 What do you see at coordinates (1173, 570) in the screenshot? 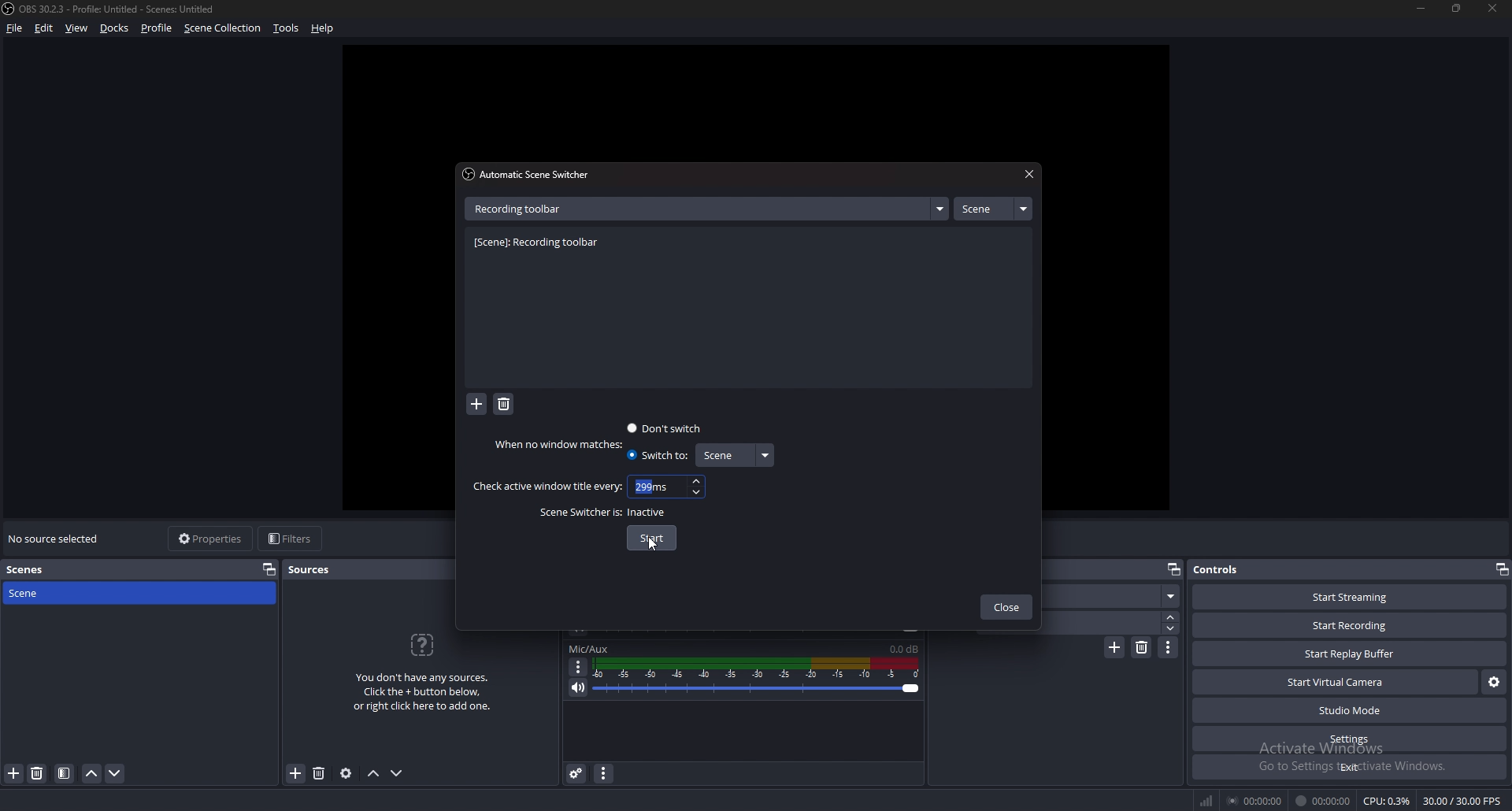
I see `pop out` at bounding box center [1173, 570].